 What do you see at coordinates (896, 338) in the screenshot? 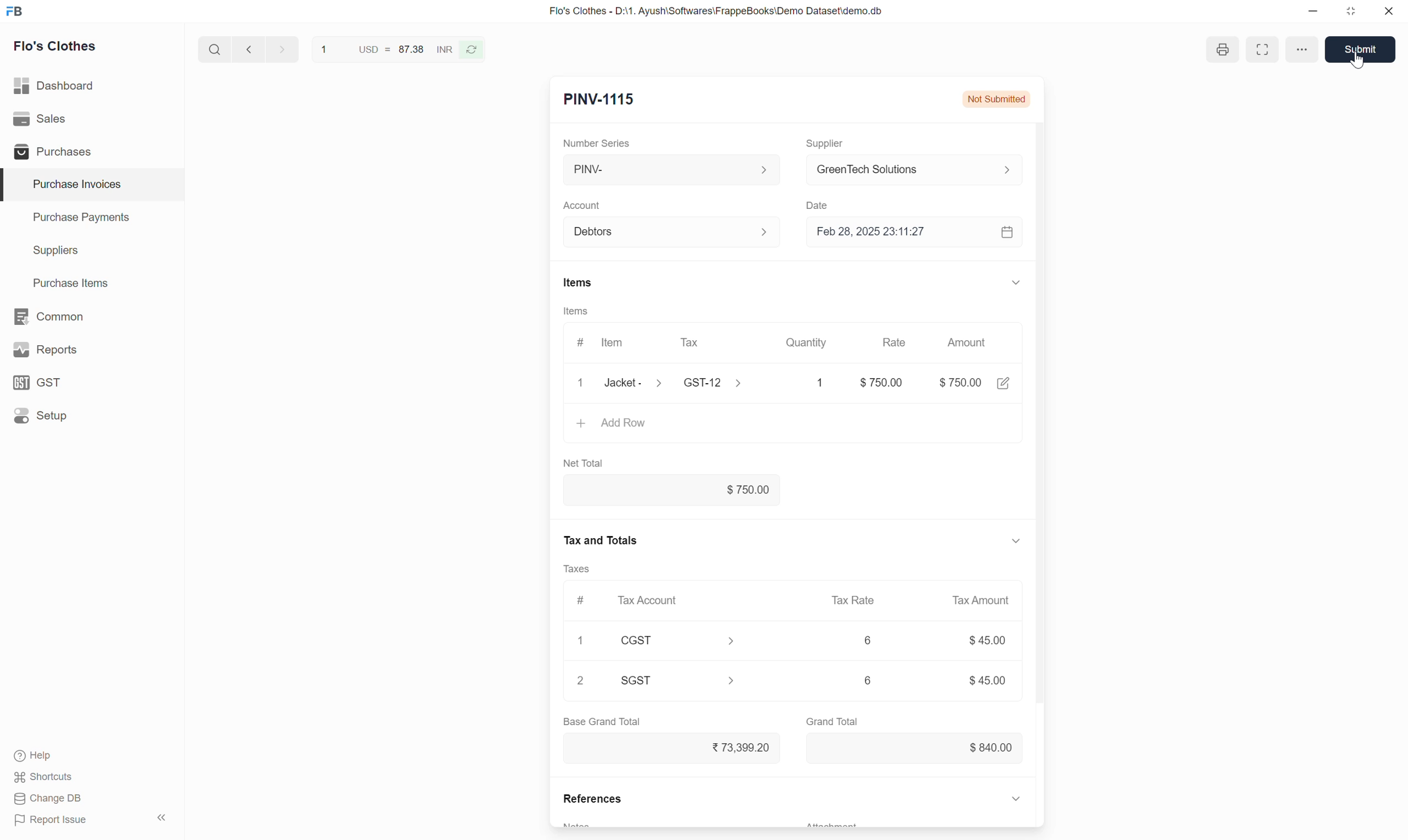
I see `Rate` at bounding box center [896, 338].